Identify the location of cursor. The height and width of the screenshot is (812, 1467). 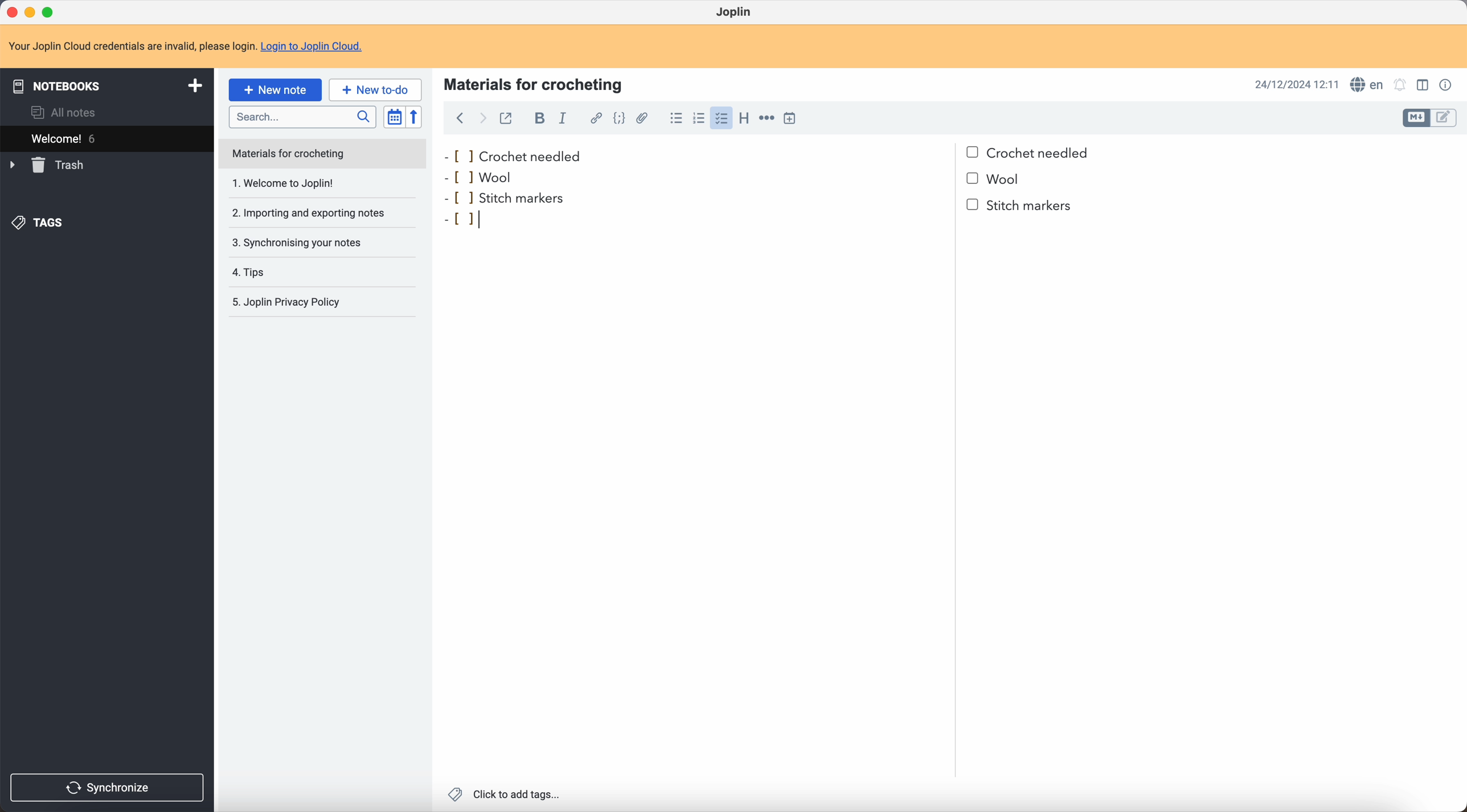
(482, 222).